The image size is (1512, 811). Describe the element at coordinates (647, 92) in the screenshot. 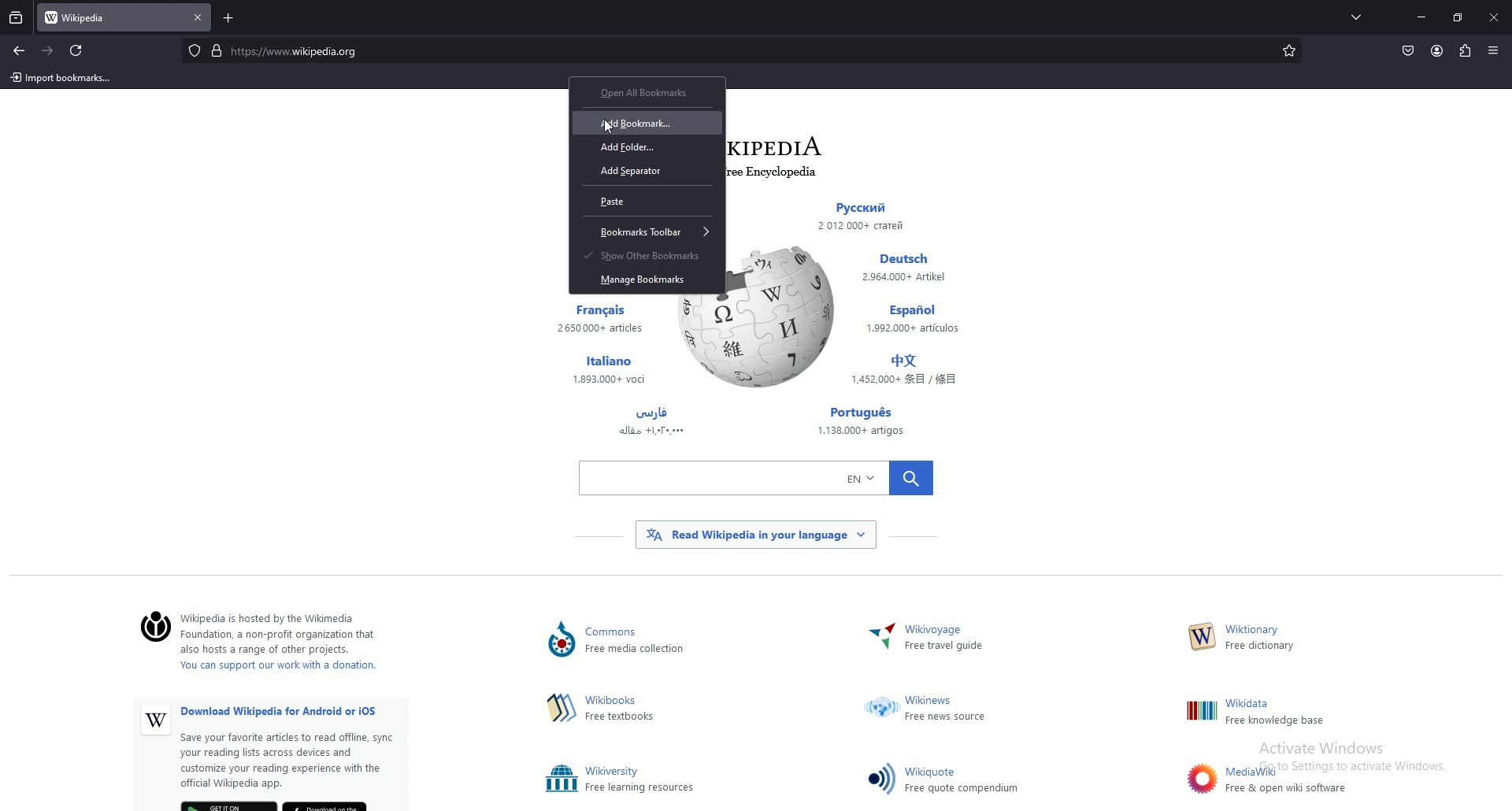

I see `open all bookmarks` at that location.